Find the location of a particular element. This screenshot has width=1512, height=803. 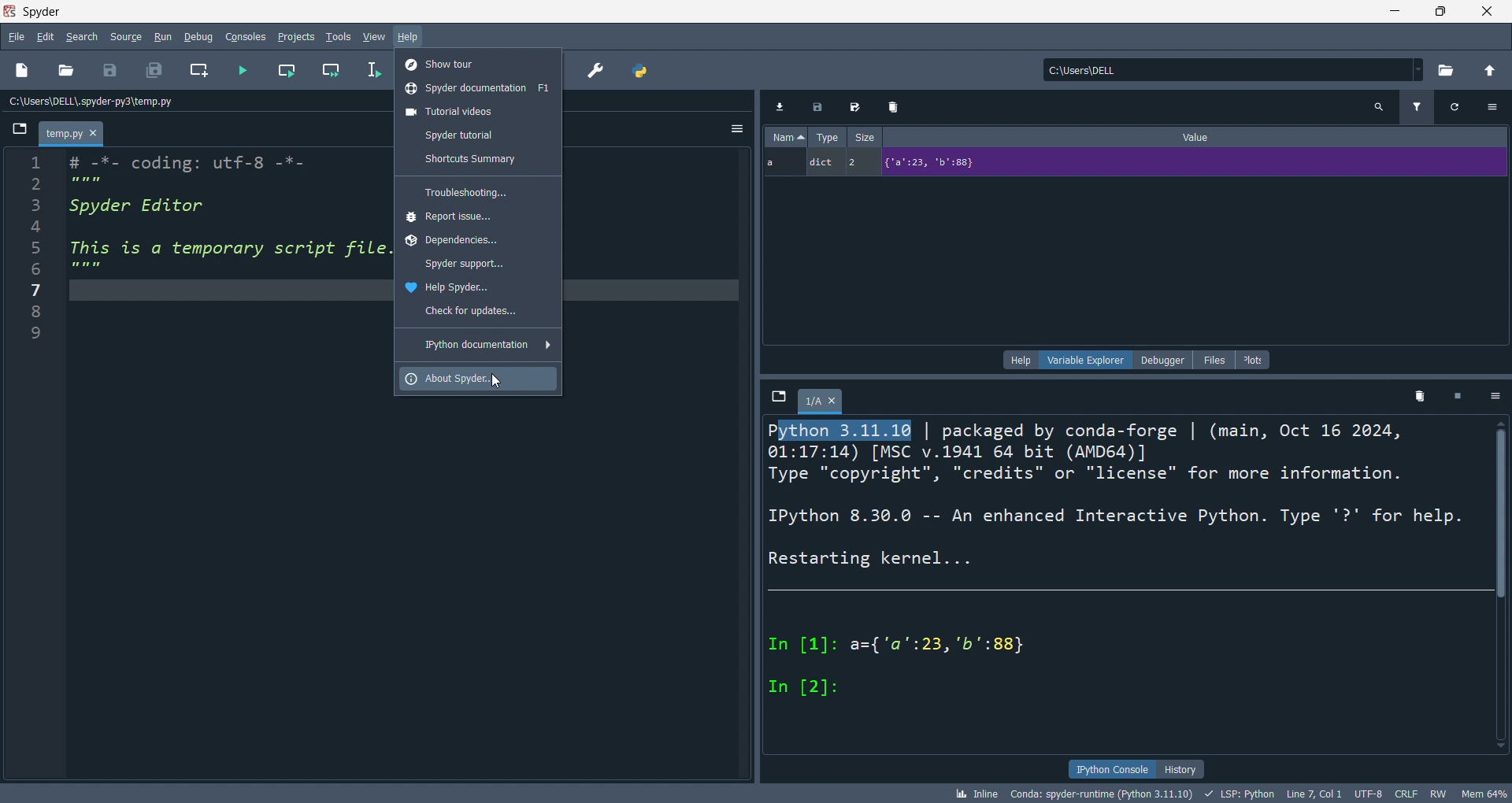

minimize is located at coordinates (1392, 12).